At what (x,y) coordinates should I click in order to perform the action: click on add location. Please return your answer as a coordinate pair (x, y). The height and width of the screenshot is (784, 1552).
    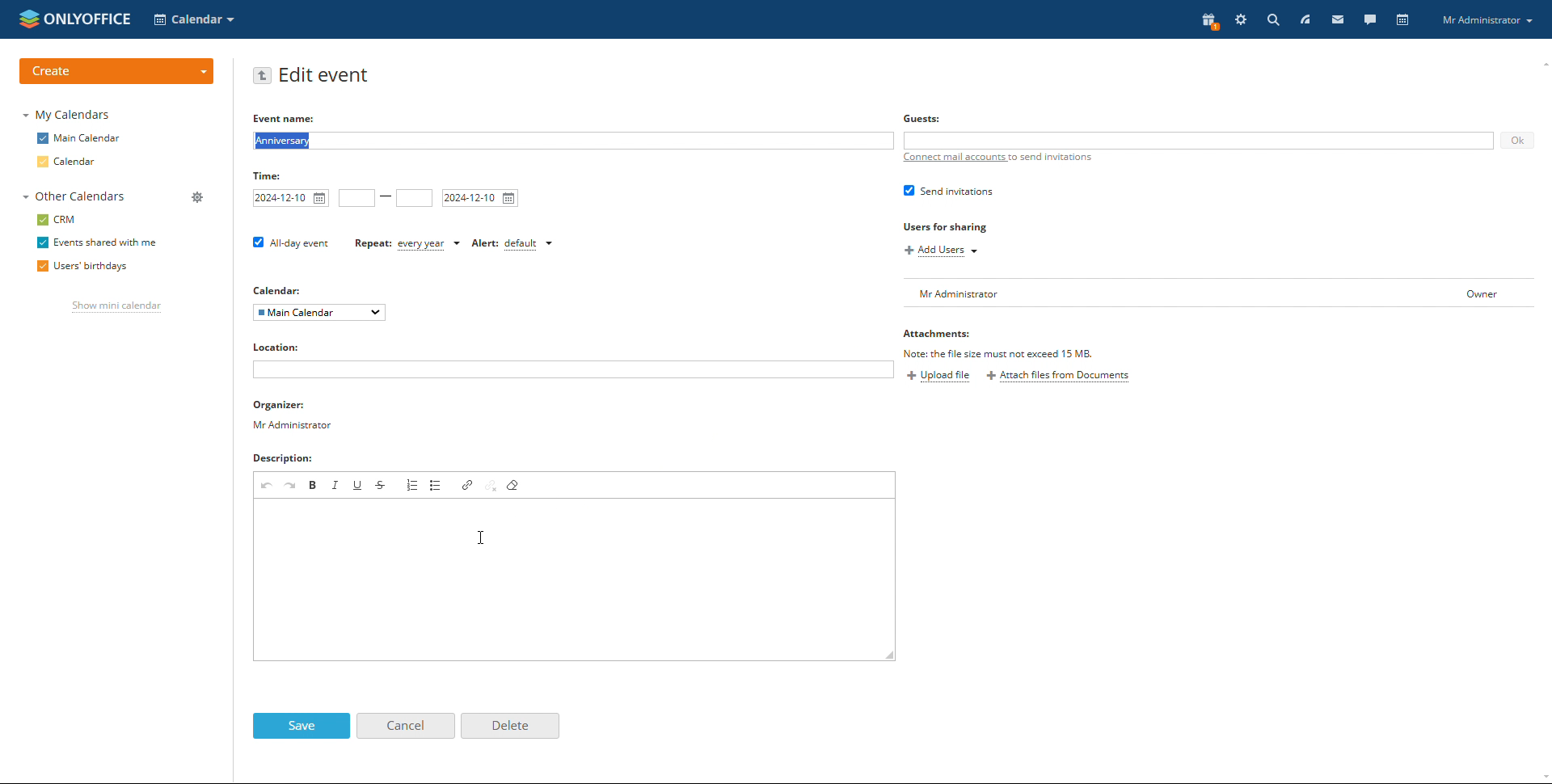
    Looking at the image, I should click on (572, 369).